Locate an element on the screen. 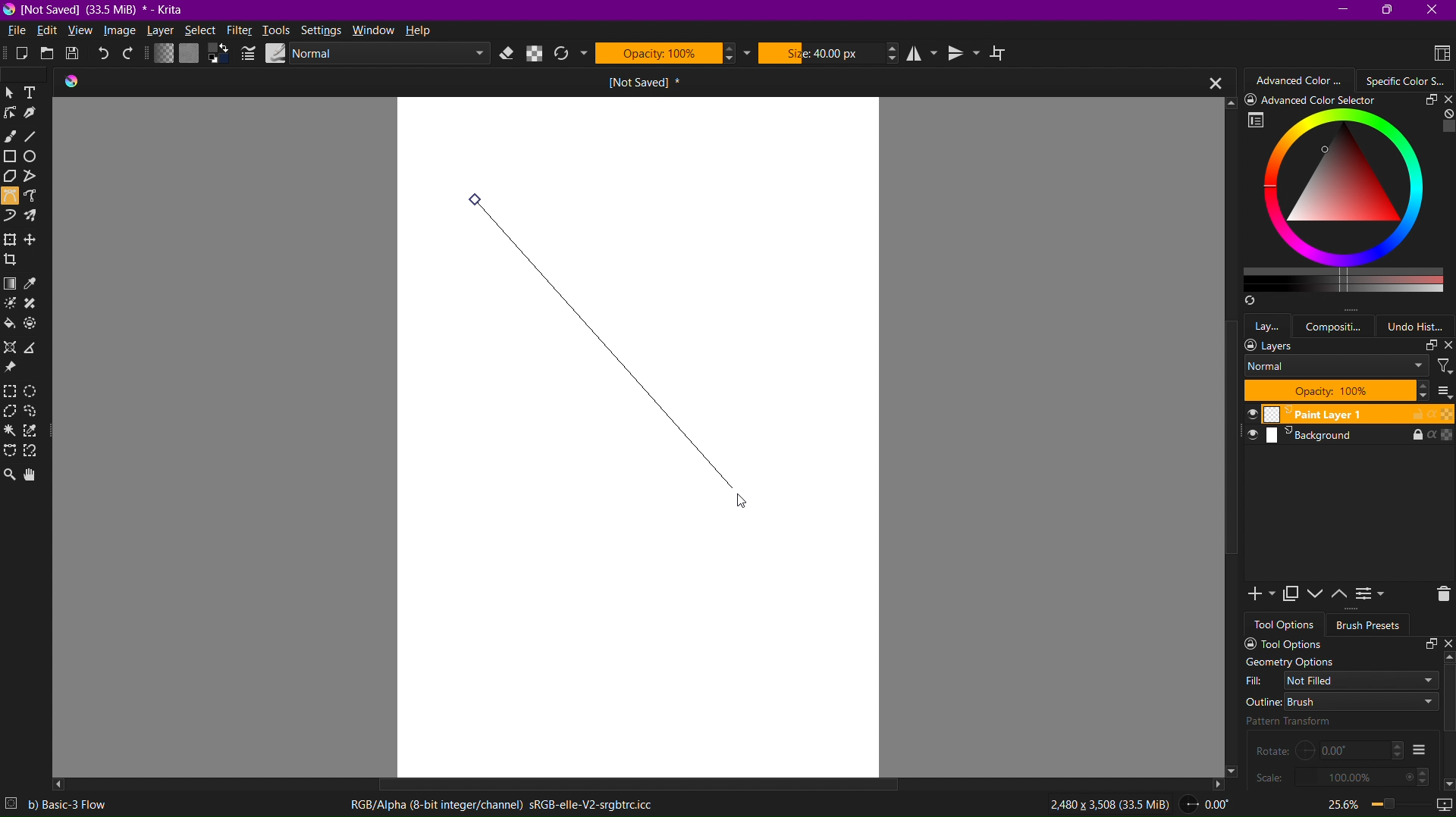 This screenshot has width=1456, height=817. Freehand Selection Tool is located at coordinates (36, 414).